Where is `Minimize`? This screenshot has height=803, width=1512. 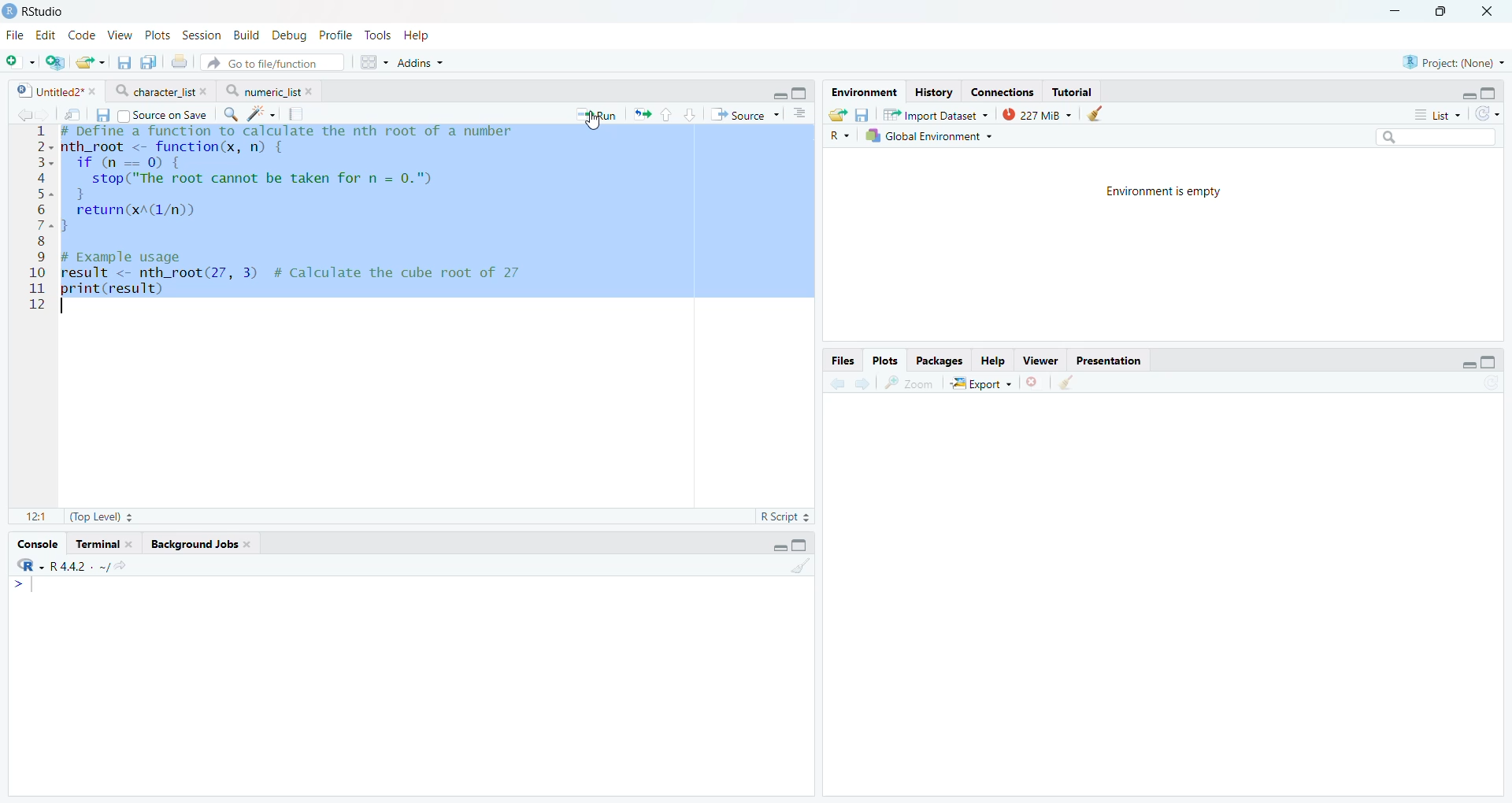 Minimize is located at coordinates (1396, 10).